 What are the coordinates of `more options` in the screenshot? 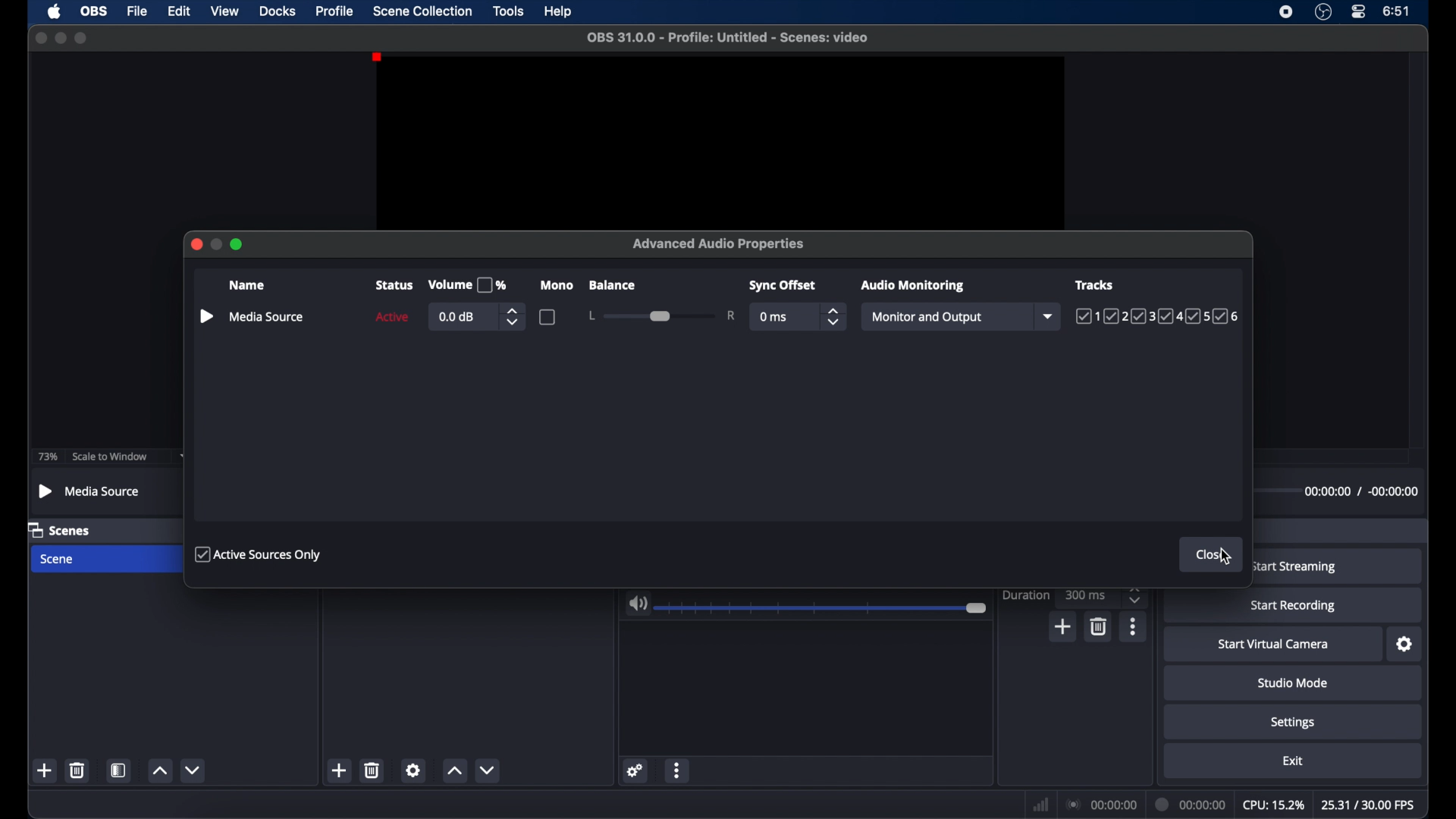 It's located at (1134, 626).